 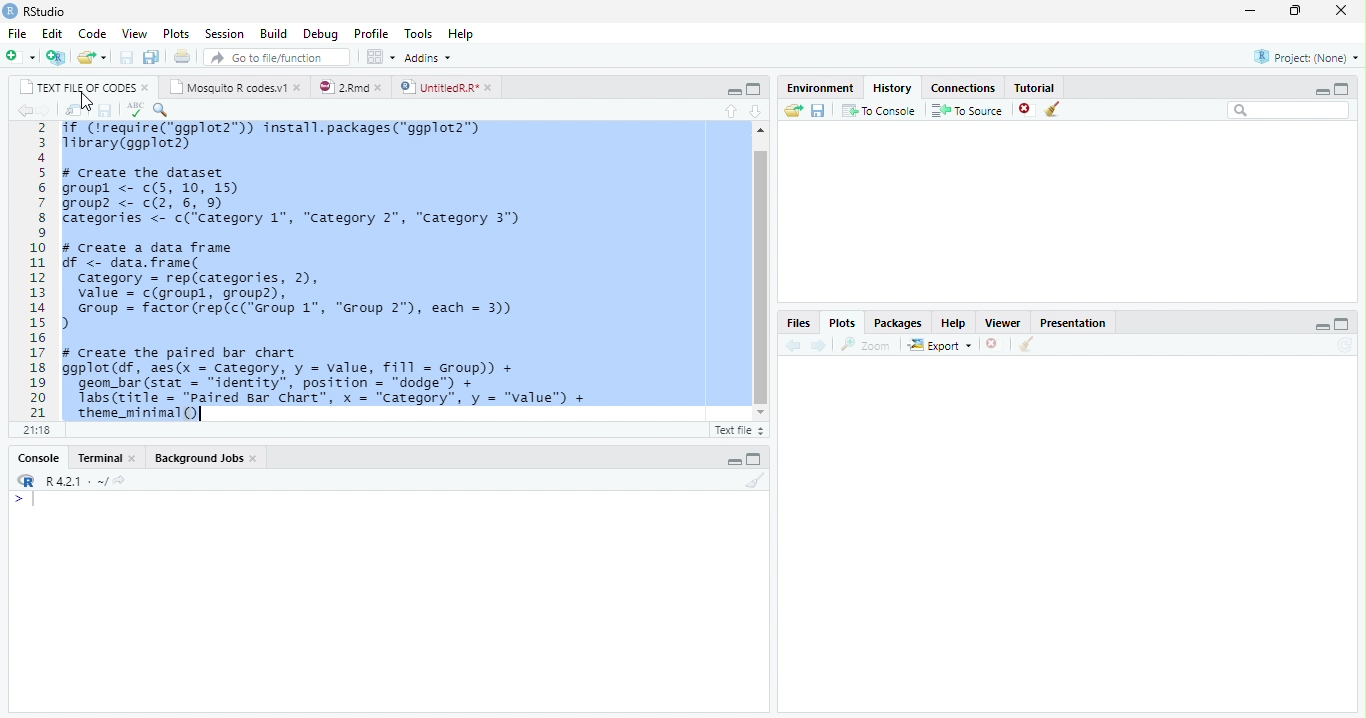 What do you see at coordinates (762, 413) in the screenshot?
I see `scroll down` at bounding box center [762, 413].